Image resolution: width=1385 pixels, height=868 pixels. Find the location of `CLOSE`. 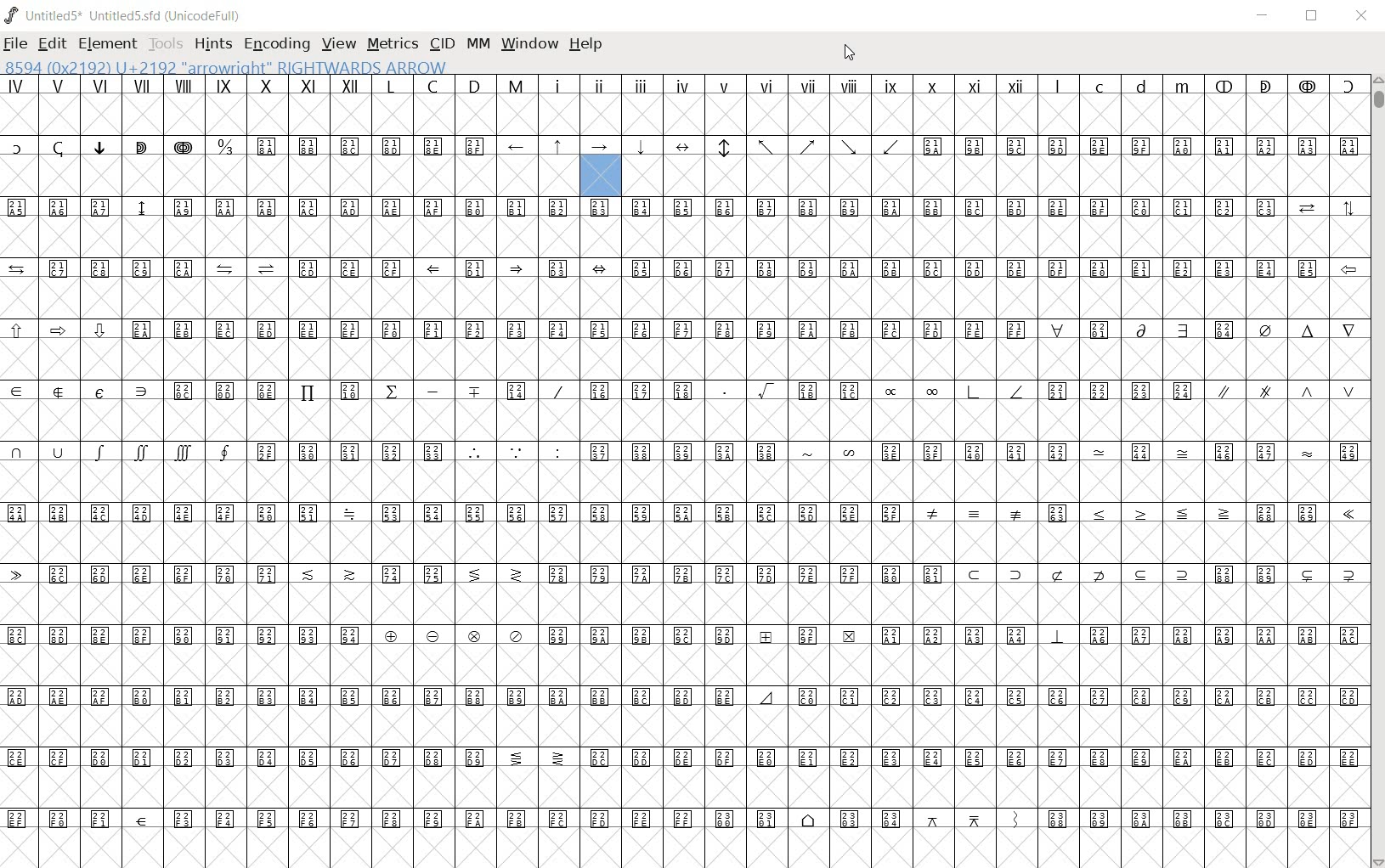

CLOSE is located at coordinates (1361, 18).